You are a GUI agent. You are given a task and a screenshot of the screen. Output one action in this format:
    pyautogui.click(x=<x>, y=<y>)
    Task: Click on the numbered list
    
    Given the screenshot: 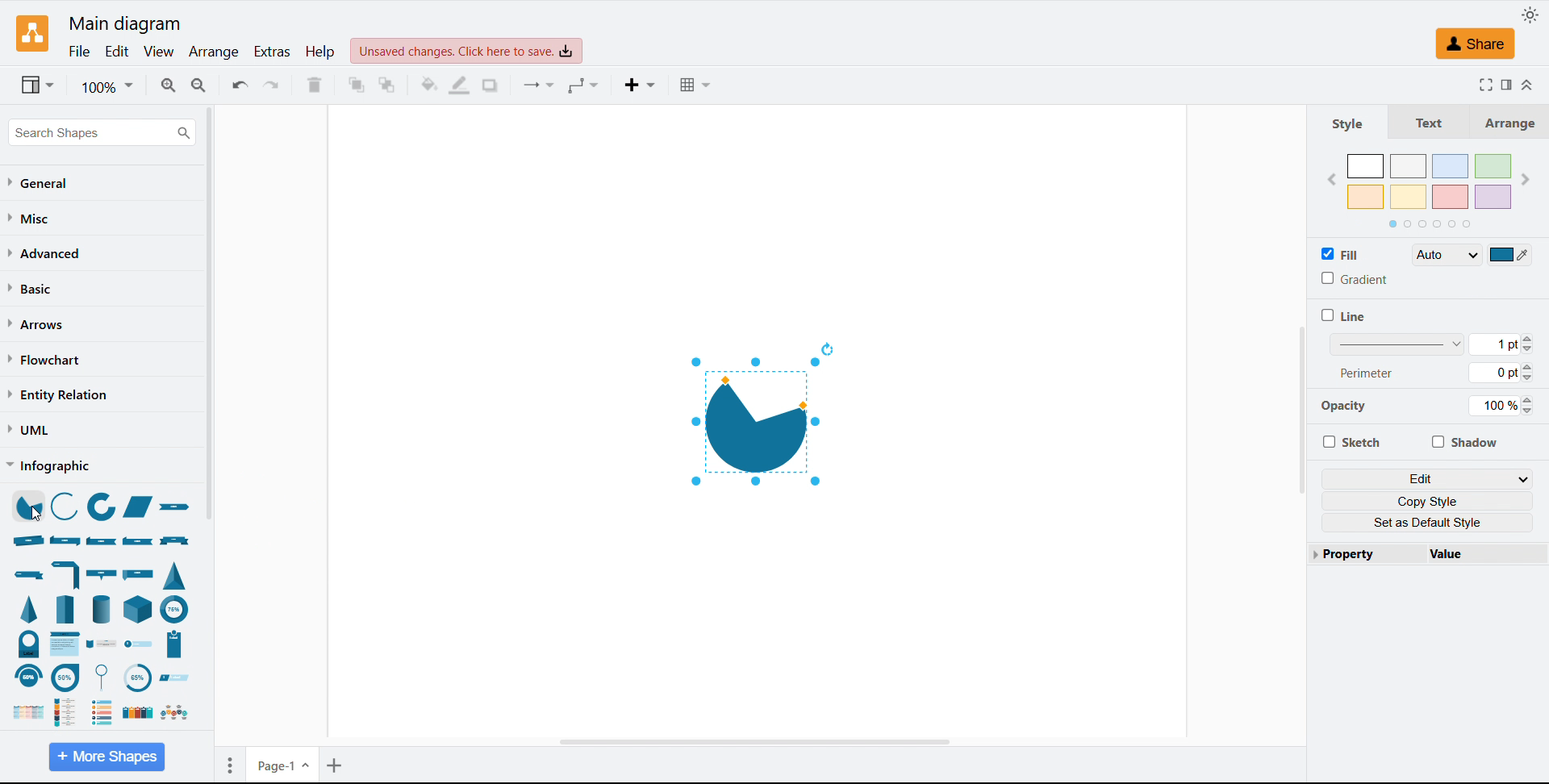 What is the action you would take?
    pyautogui.click(x=102, y=714)
    